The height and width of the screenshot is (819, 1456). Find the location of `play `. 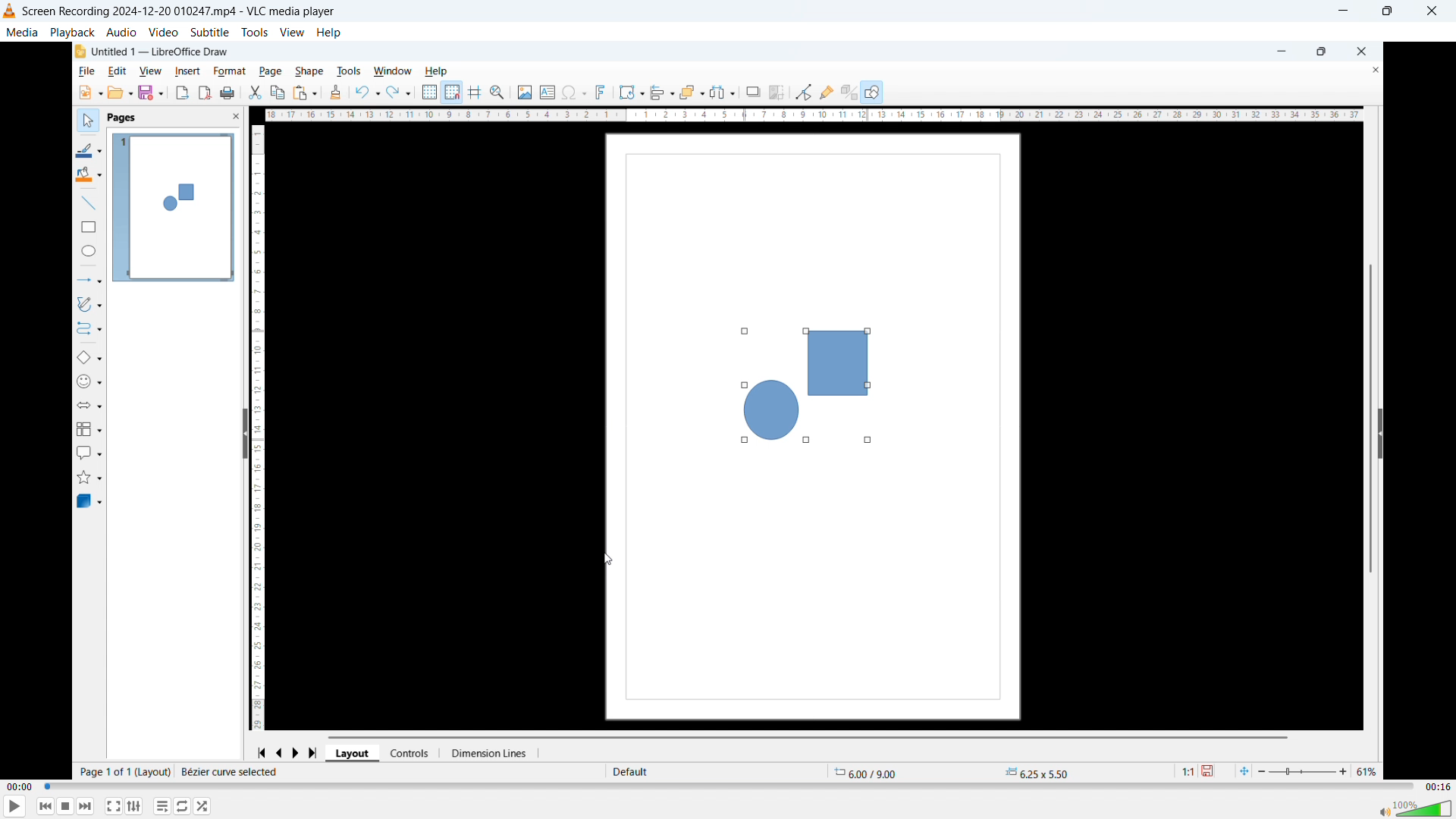

play  is located at coordinates (16, 805).